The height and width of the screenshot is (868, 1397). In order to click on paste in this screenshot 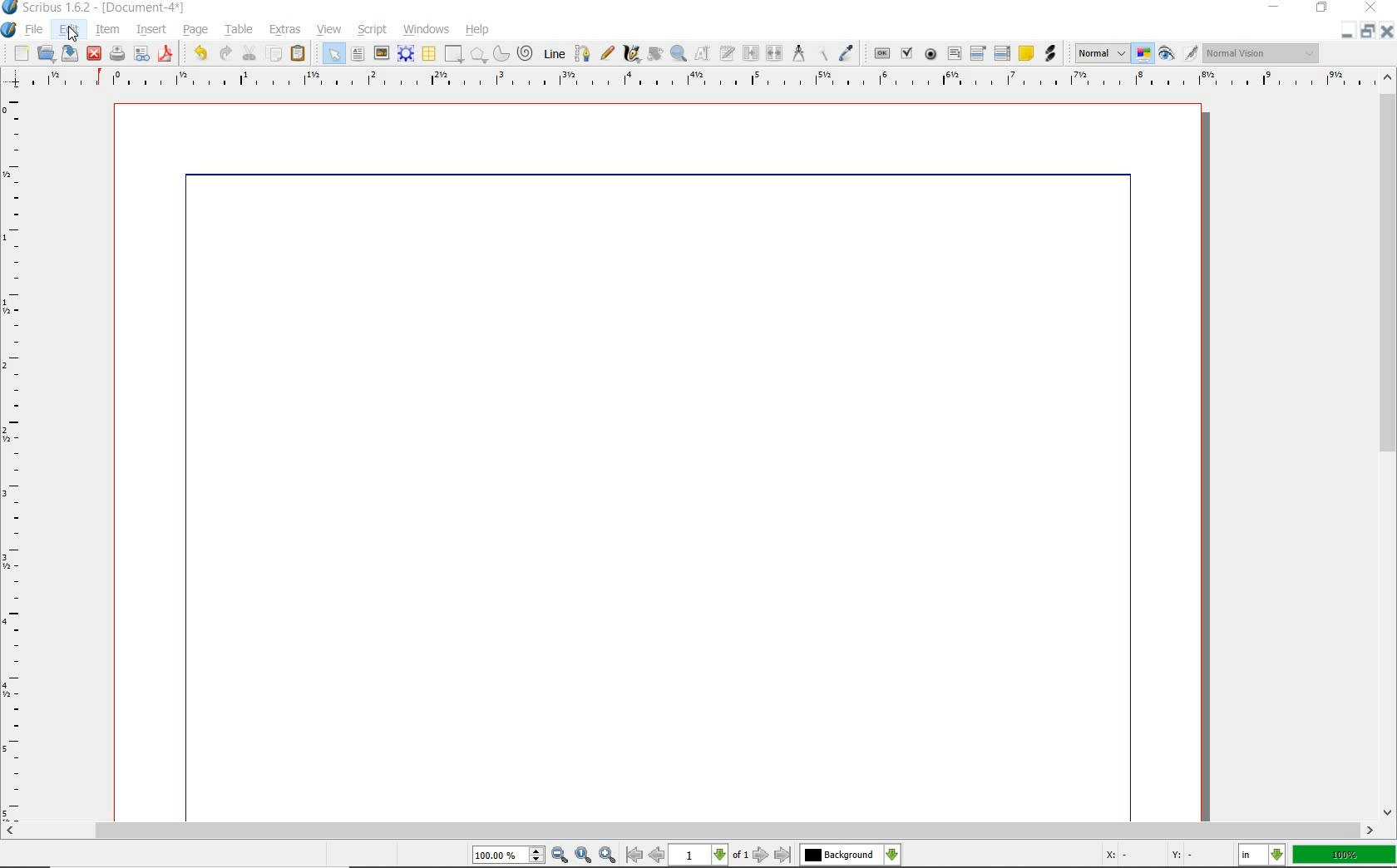, I will do `click(299, 54)`.